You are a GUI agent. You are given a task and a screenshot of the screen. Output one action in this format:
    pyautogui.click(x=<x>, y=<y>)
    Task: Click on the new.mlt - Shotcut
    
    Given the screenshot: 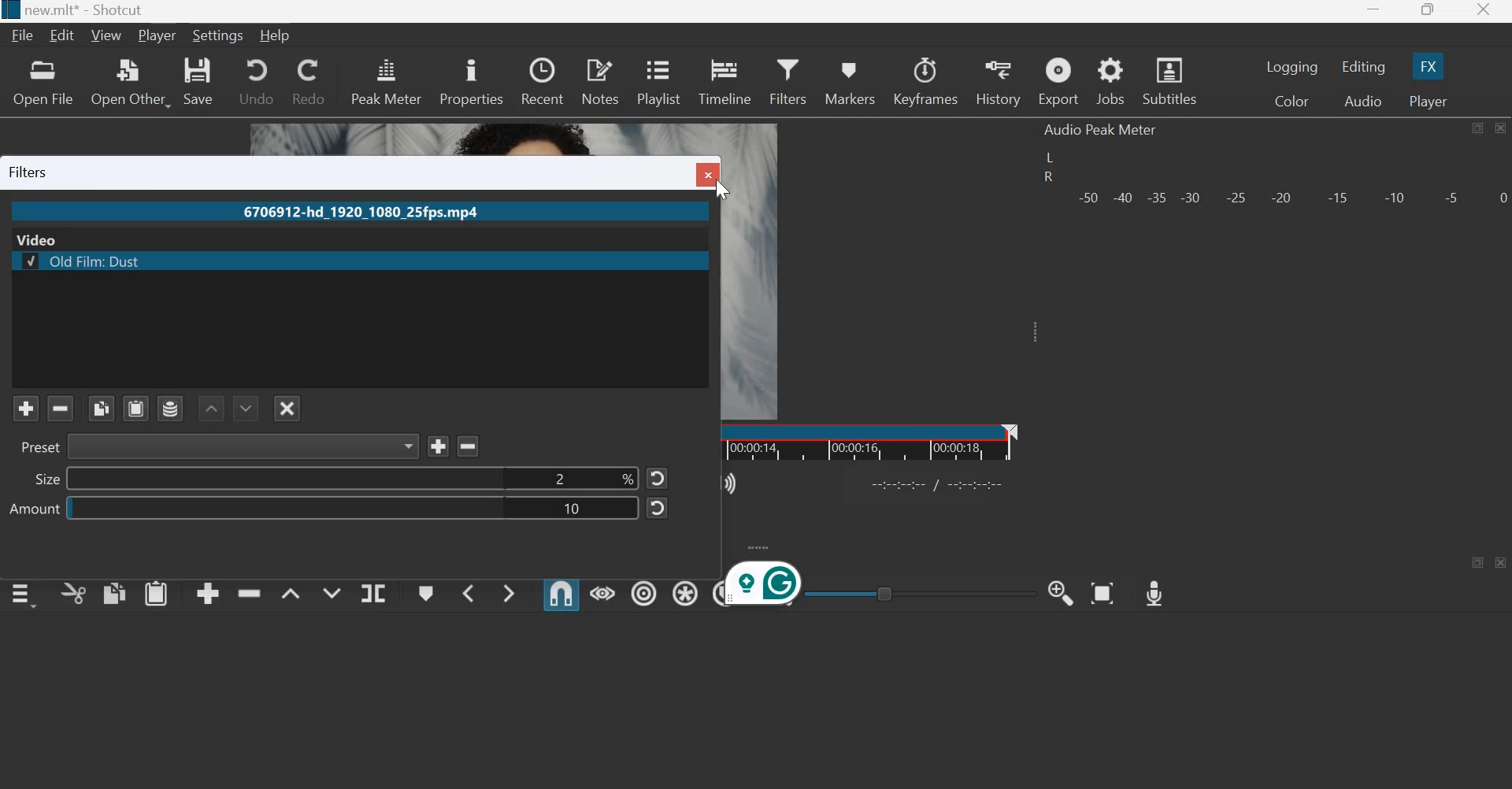 What is the action you would take?
    pyautogui.click(x=89, y=10)
    